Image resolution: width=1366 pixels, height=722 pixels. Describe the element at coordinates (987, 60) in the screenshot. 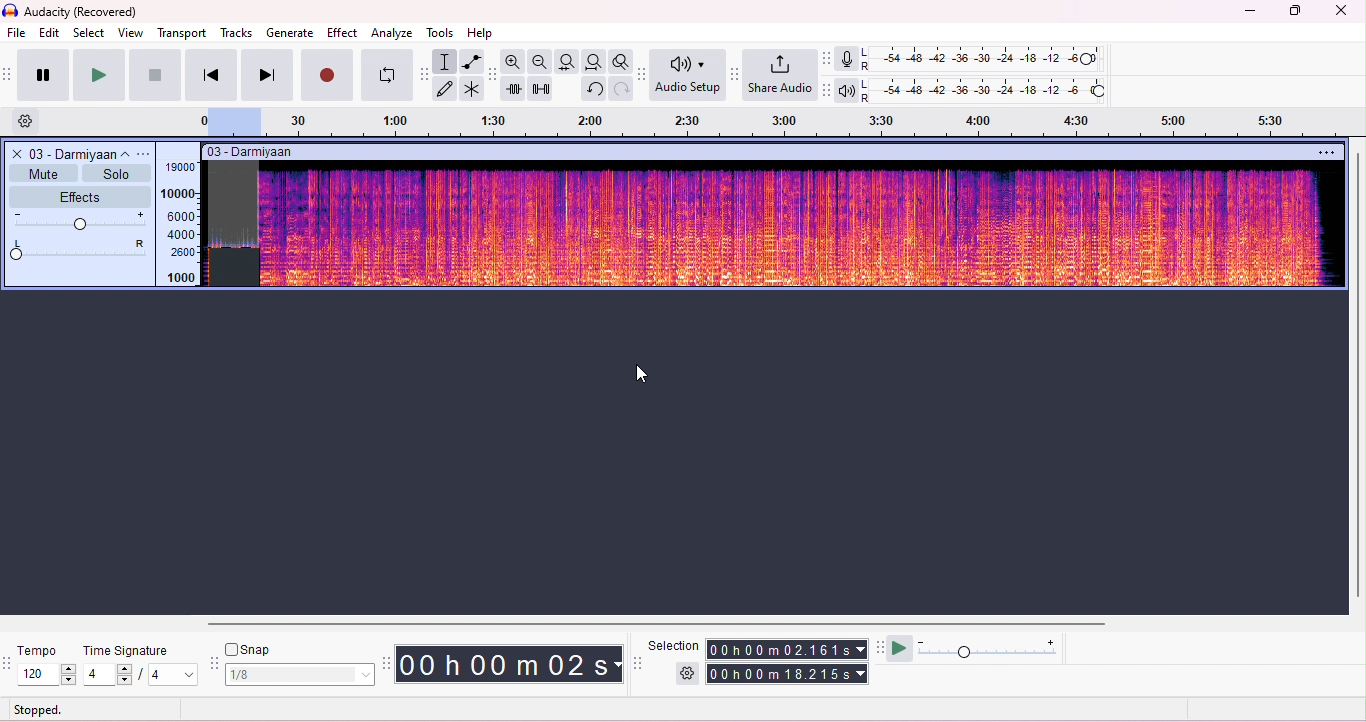

I see `recording level` at that location.